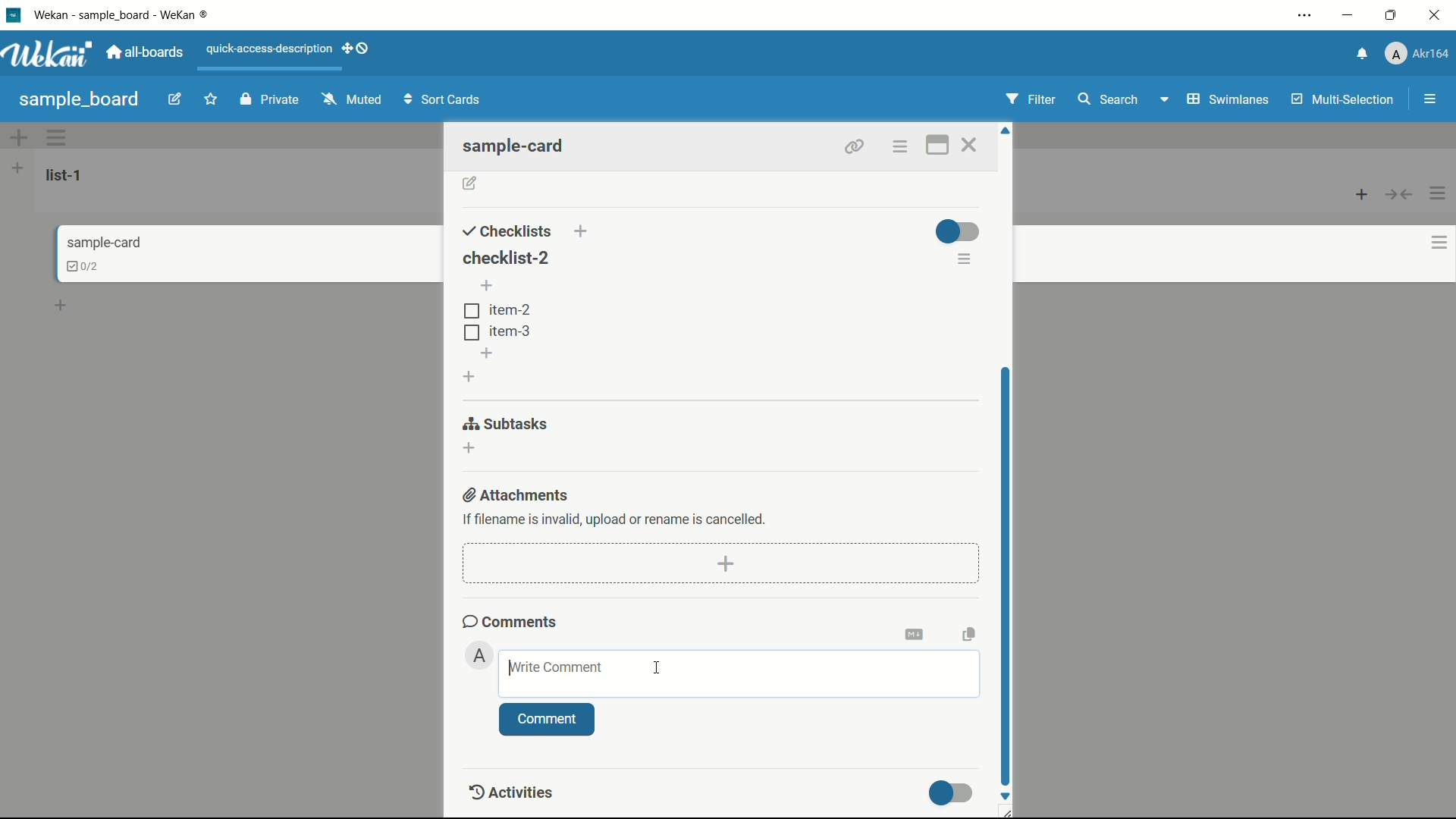  Describe the element at coordinates (1032, 99) in the screenshot. I see `filter` at that location.